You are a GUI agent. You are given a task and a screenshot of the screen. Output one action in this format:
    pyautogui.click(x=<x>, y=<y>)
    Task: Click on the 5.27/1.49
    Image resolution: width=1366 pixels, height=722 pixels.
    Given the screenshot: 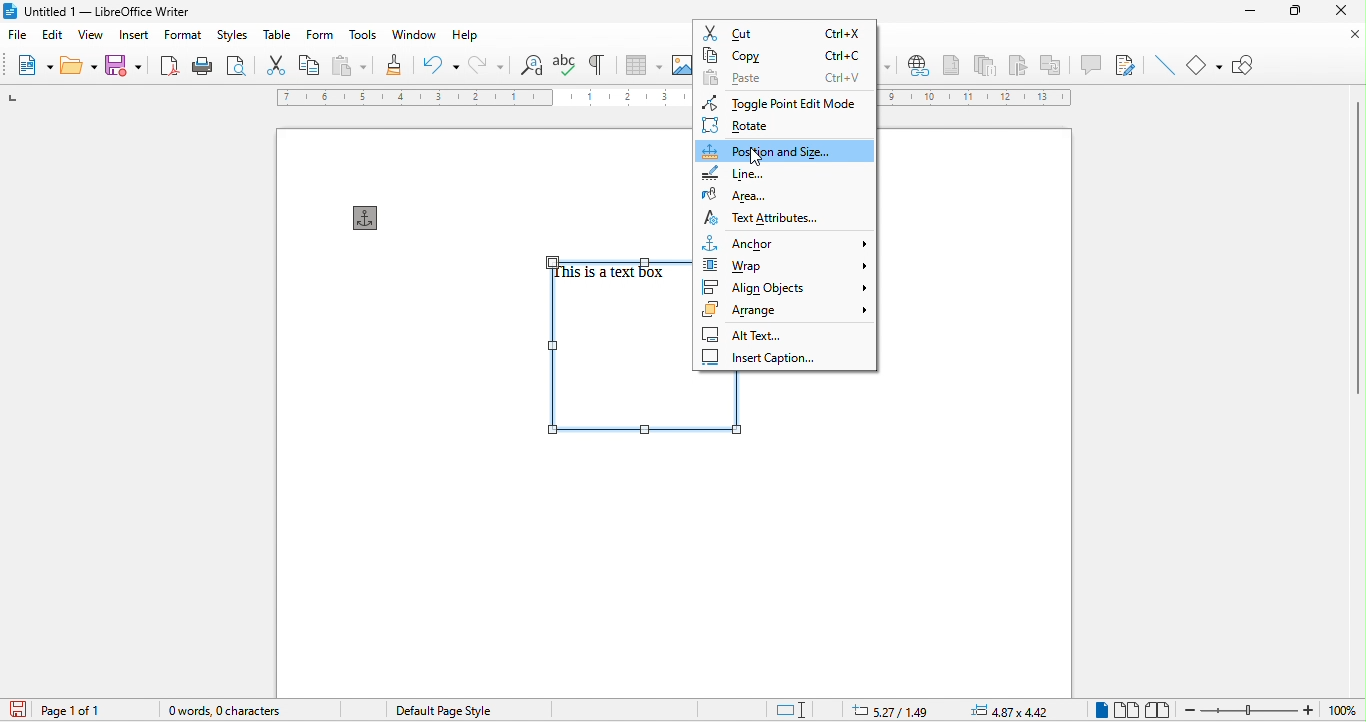 What is the action you would take?
    pyautogui.click(x=887, y=710)
    